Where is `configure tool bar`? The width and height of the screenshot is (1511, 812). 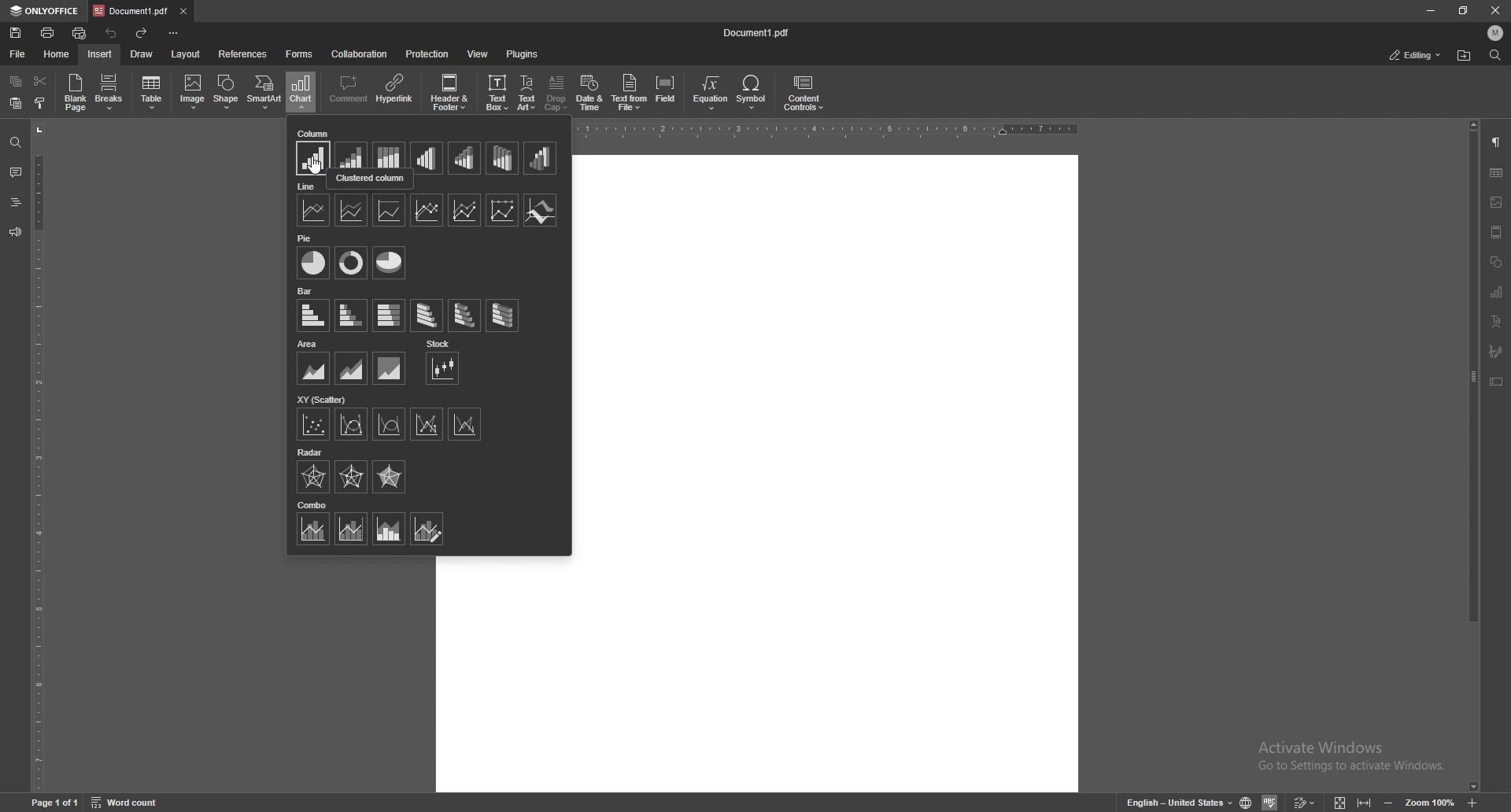 configure tool bar is located at coordinates (175, 33).